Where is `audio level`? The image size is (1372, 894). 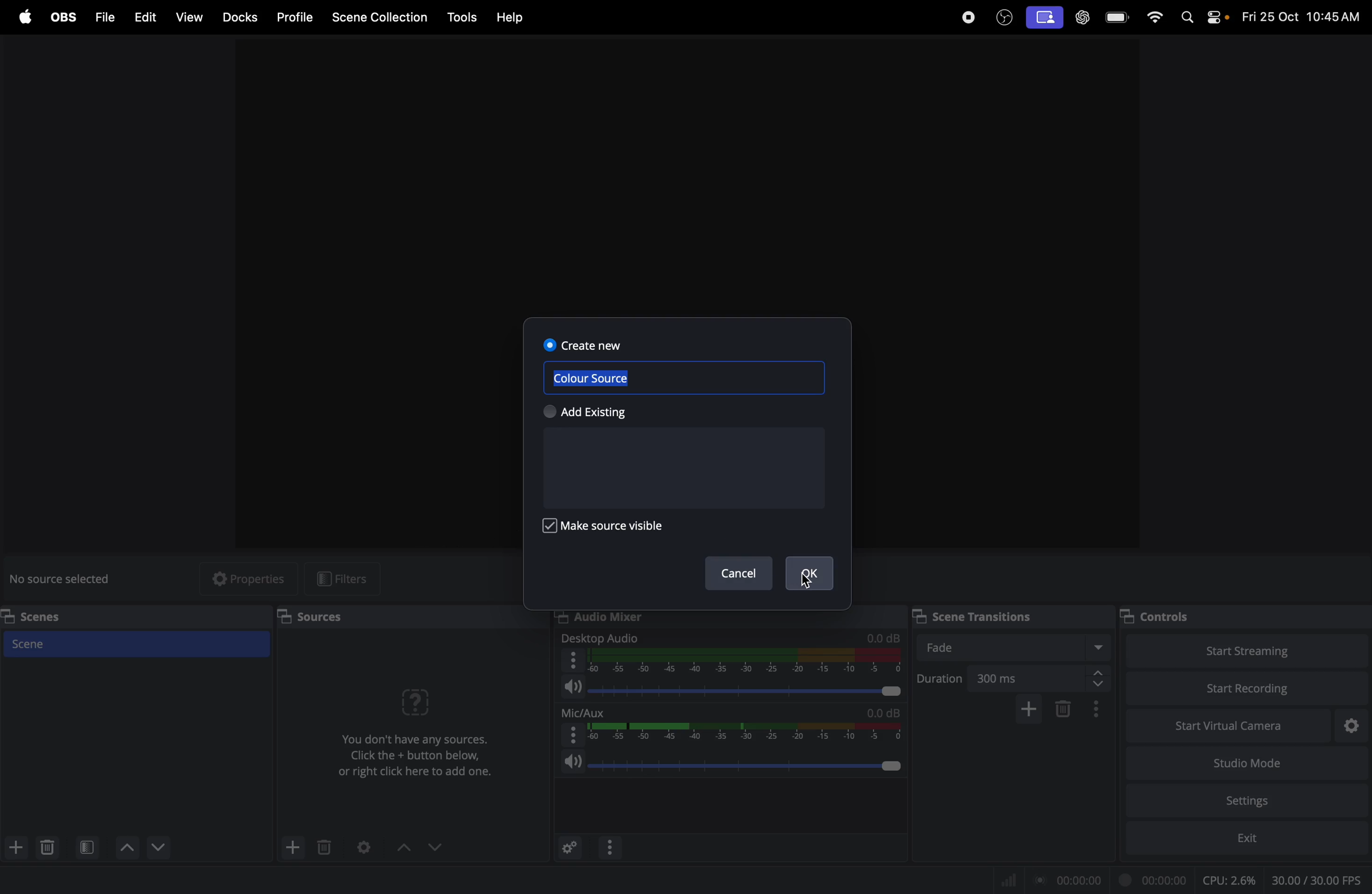
audio level is located at coordinates (730, 686).